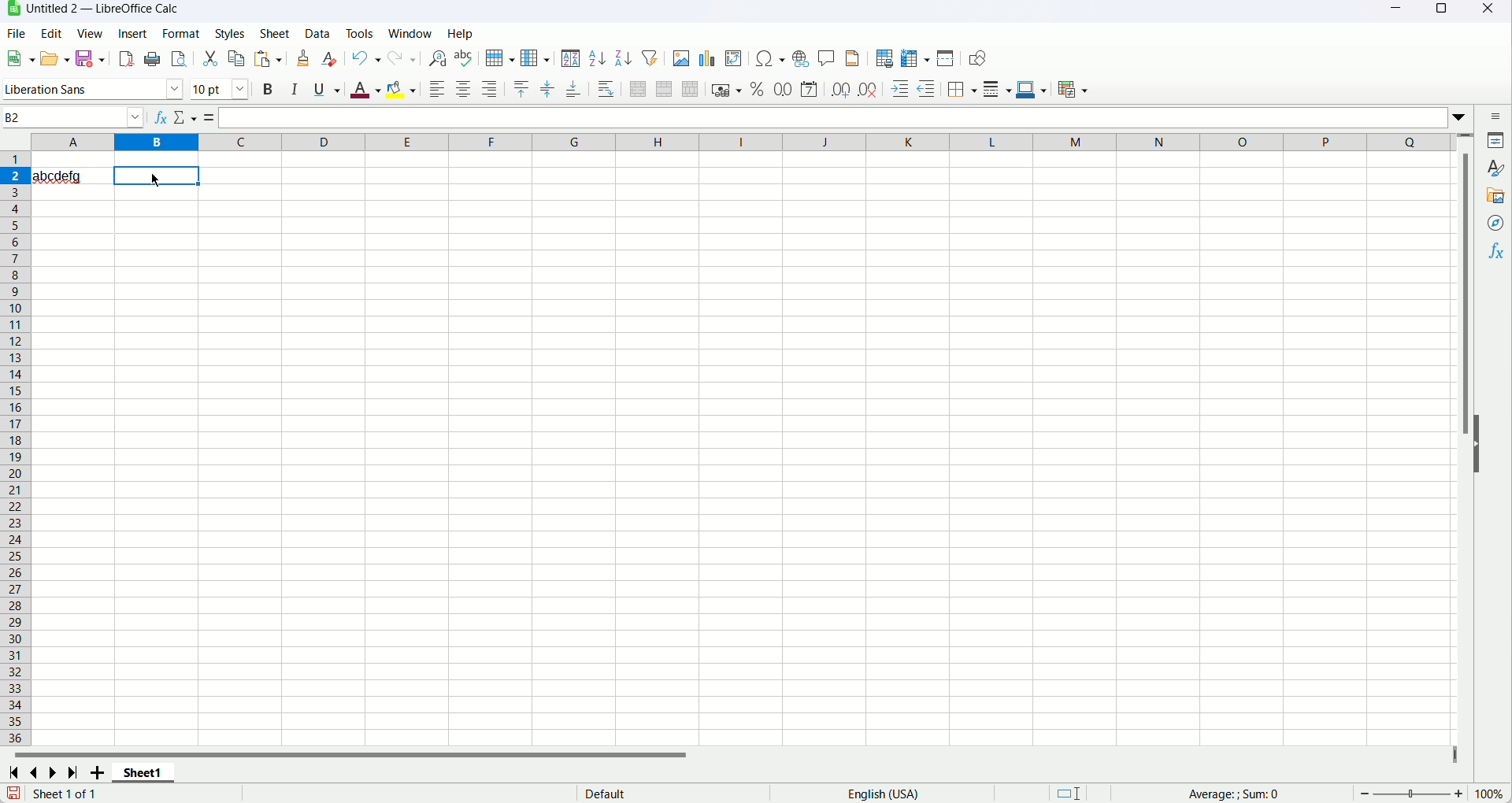 The image size is (1512, 803). Describe the element at coordinates (209, 58) in the screenshot. I see `cut` at that location.